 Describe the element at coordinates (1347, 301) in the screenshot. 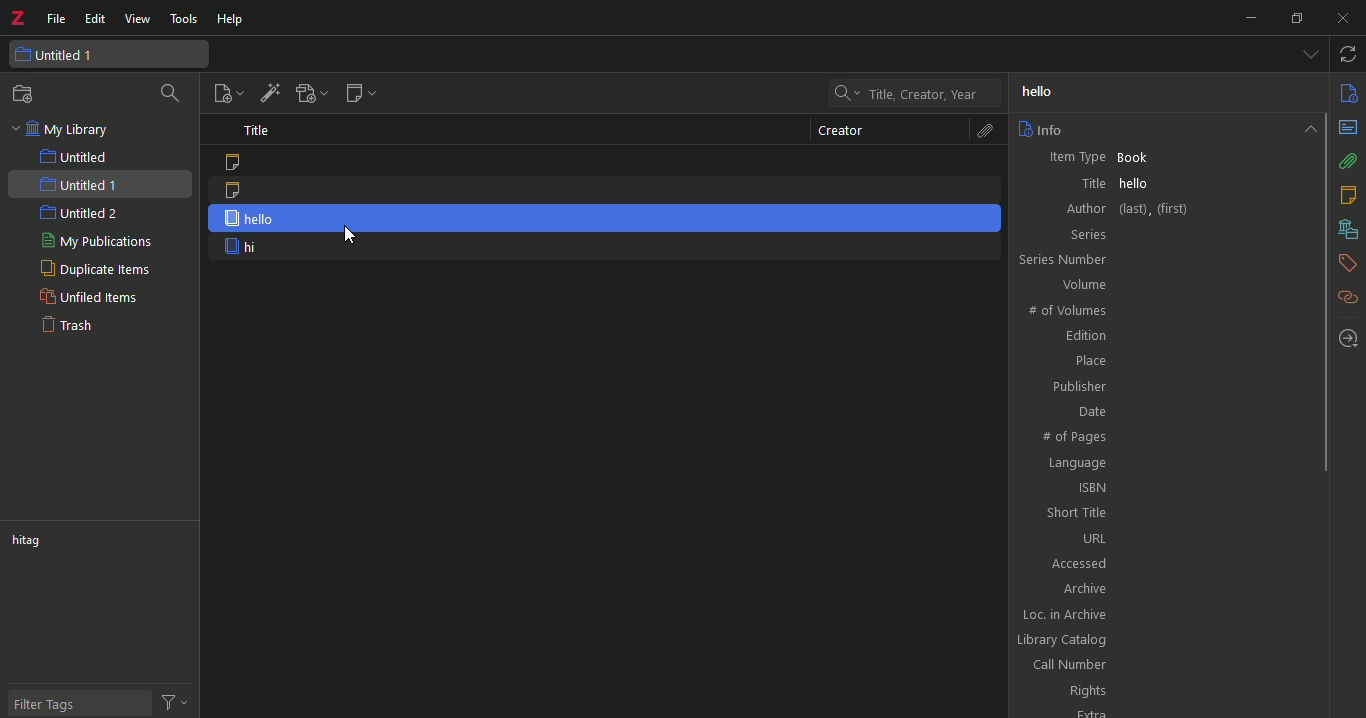

I see `related` at that location.